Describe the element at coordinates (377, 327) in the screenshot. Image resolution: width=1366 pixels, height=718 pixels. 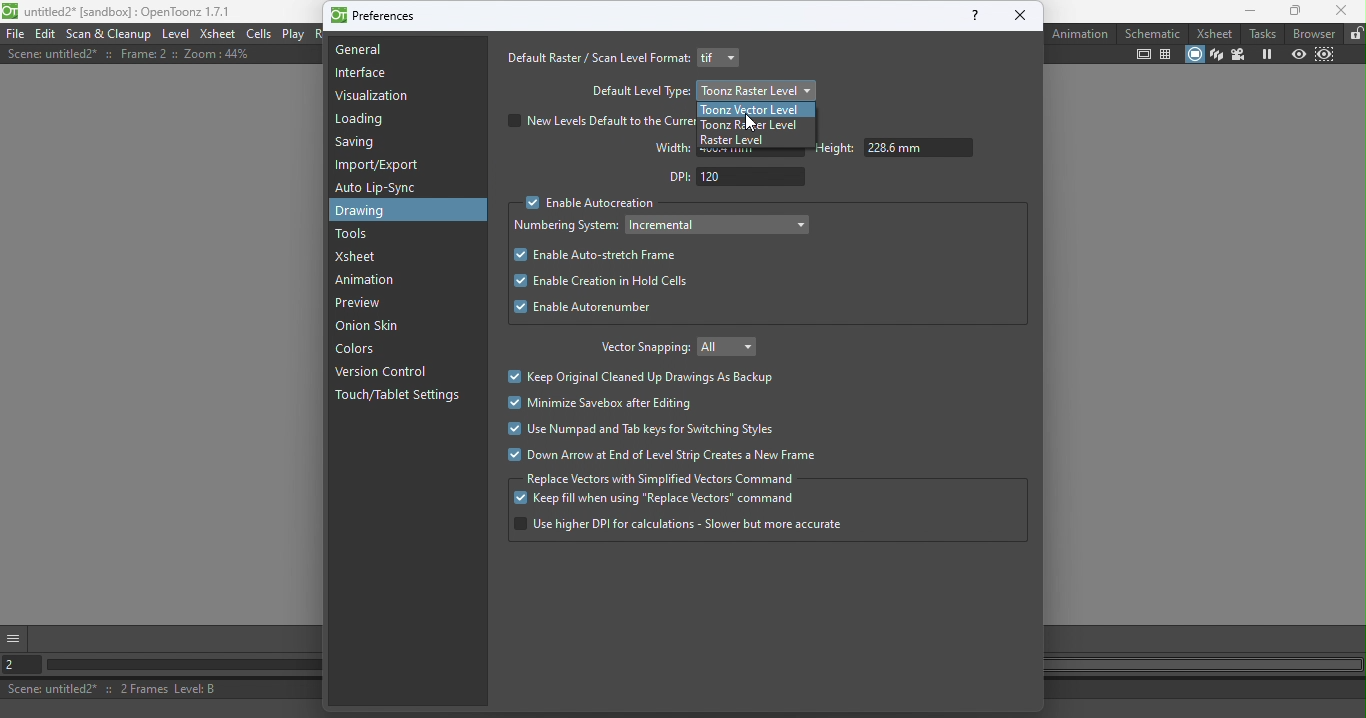
I see `Onion skin` at that location.